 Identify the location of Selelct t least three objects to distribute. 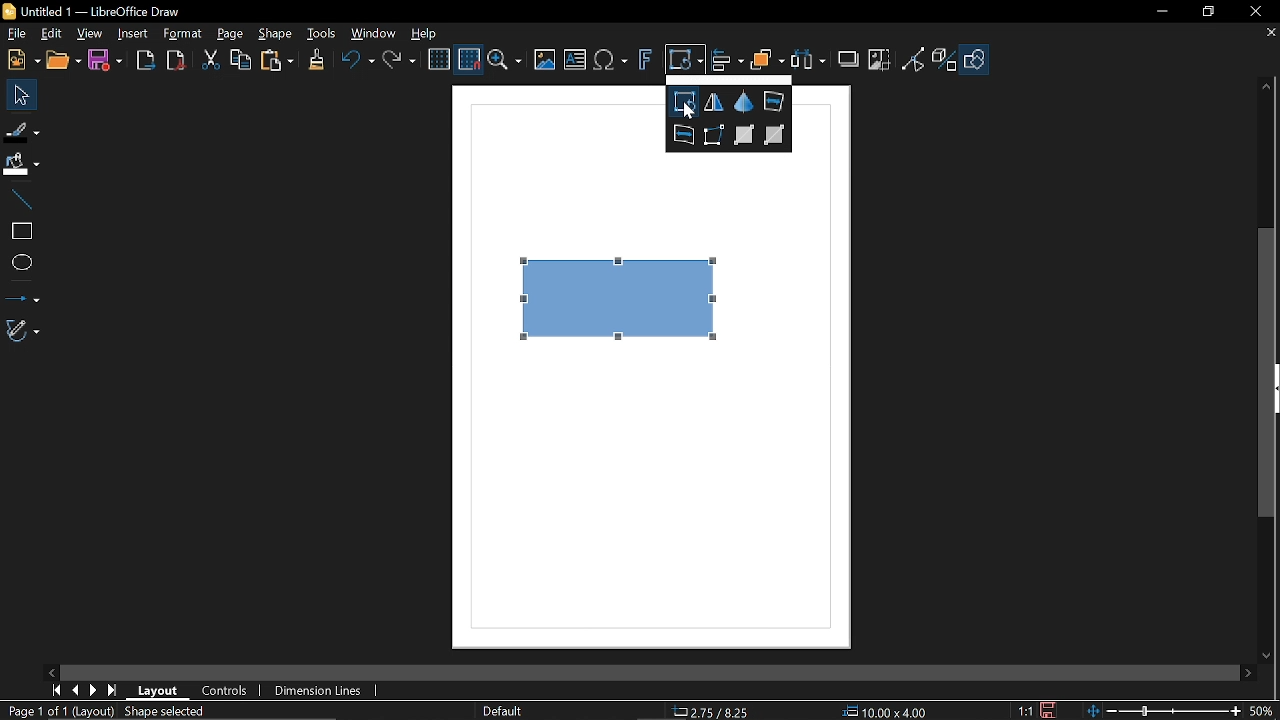
(808, 61).